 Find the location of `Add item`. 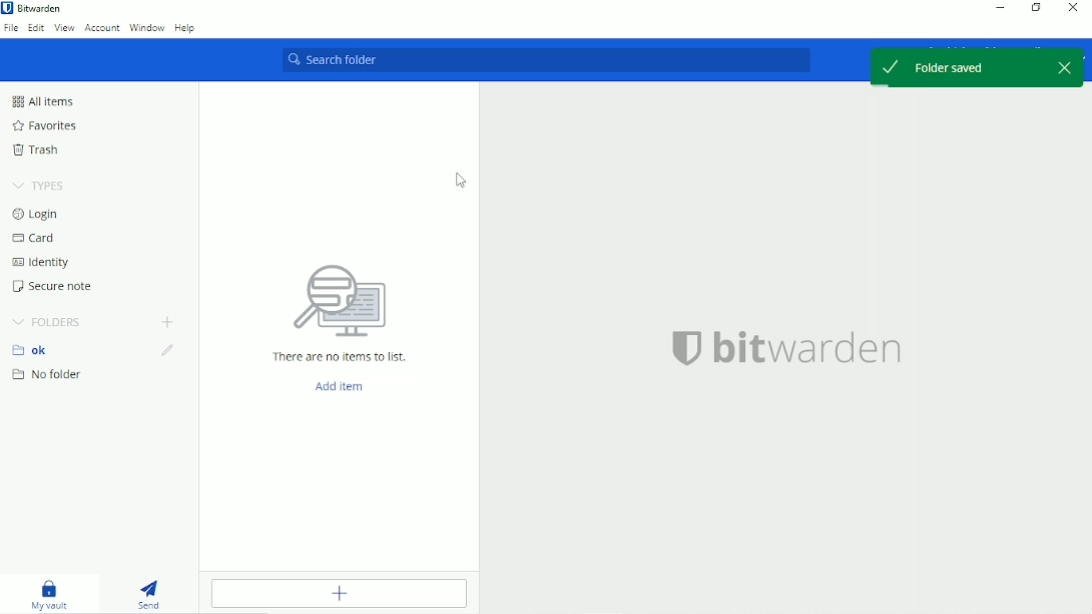

Add item is located at coordinates (340, 387).